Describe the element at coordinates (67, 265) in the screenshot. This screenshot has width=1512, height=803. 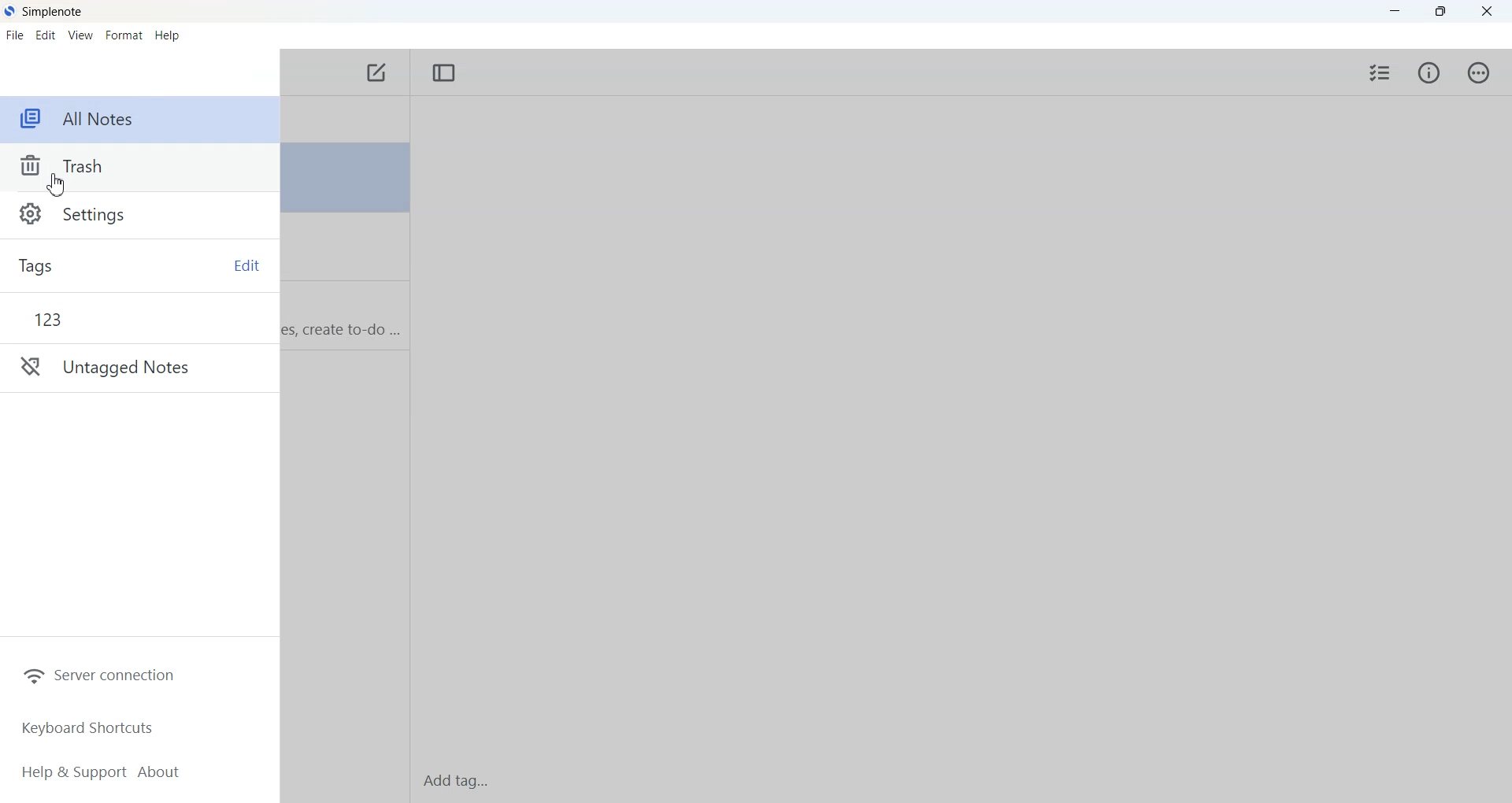
I see `Tags` at that location.